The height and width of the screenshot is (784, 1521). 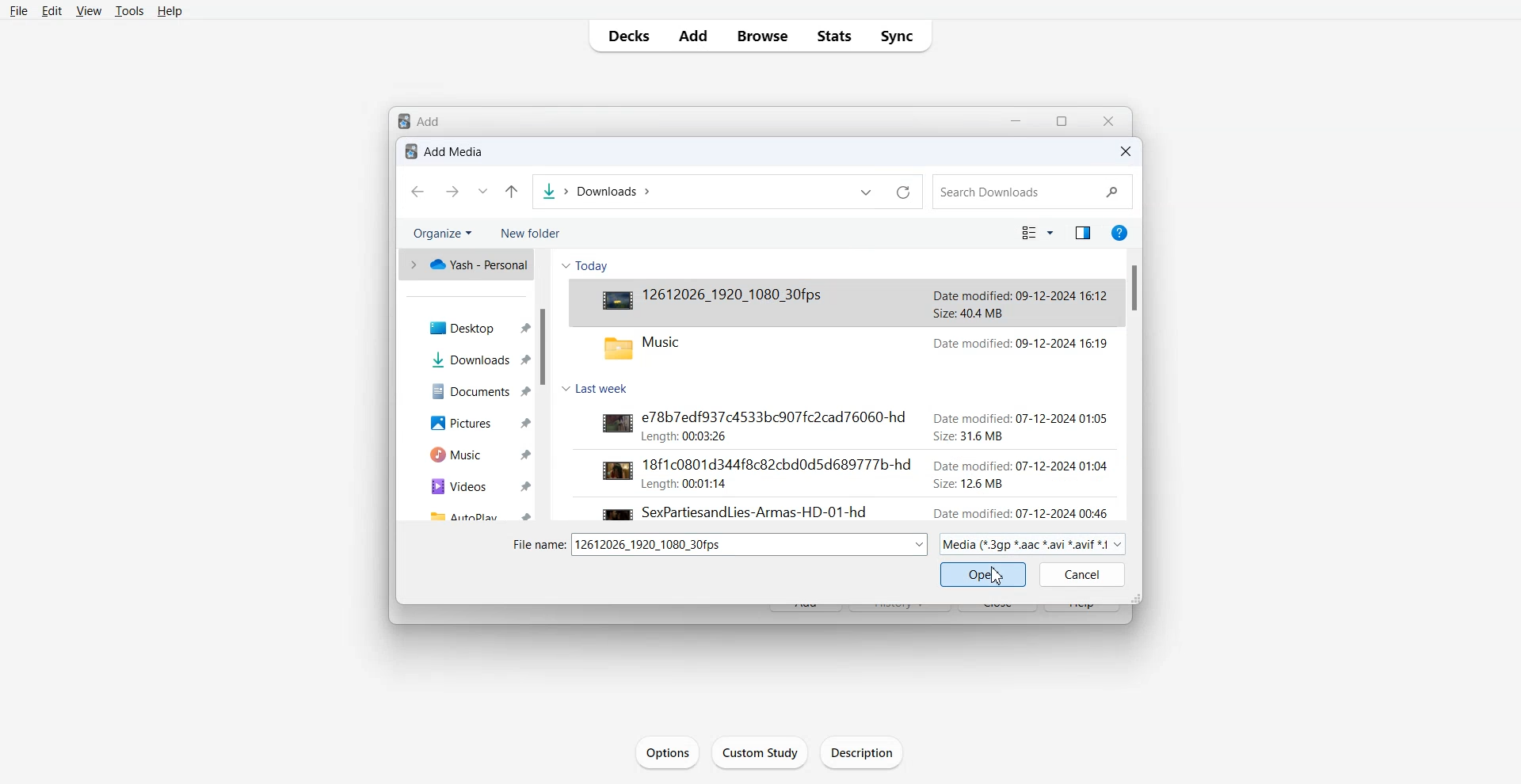 I want to click on New folder, so click(x=527, y=232).